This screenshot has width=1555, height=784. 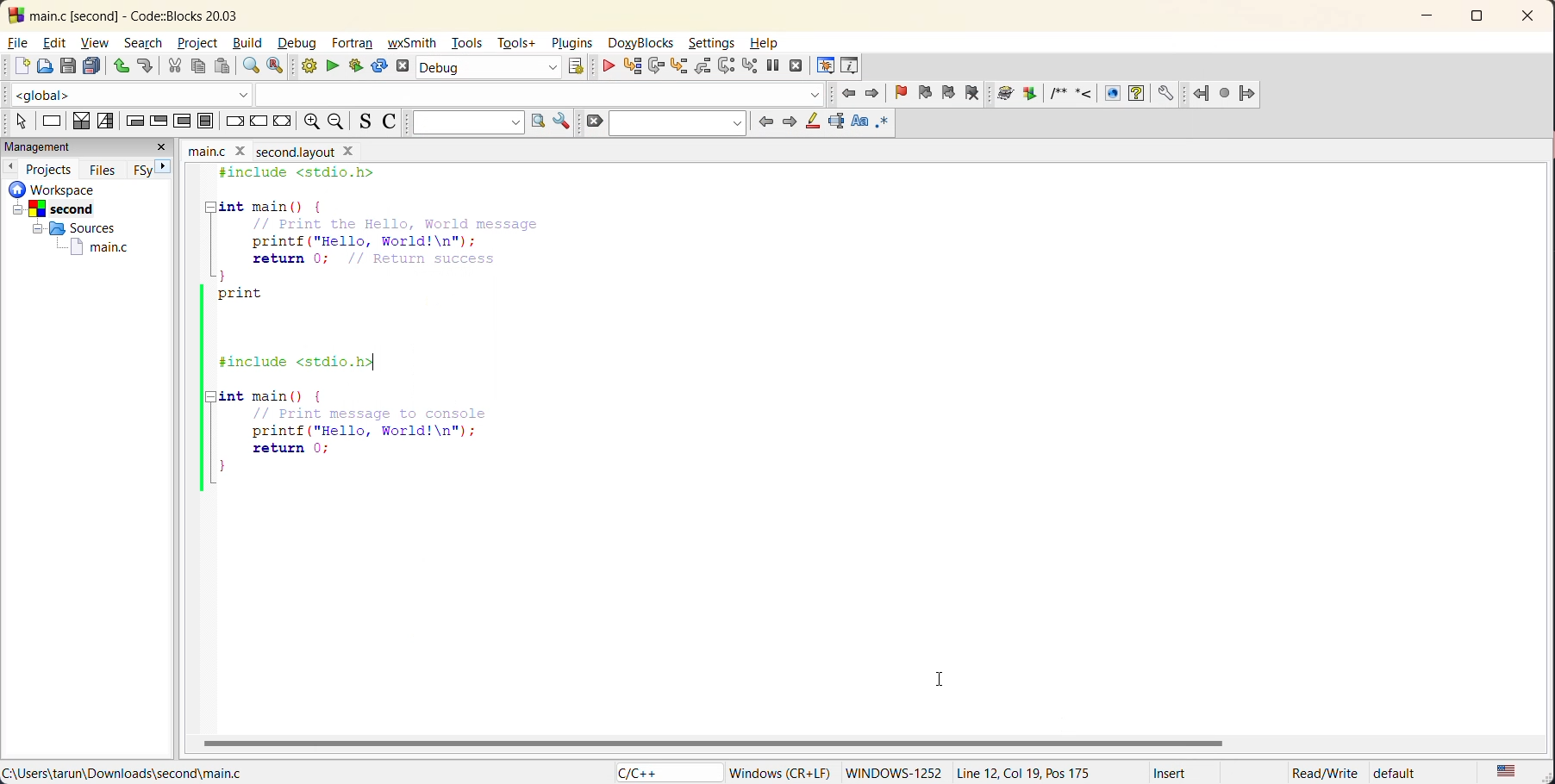 I want to click on save everything, so click(x=91, y=65).